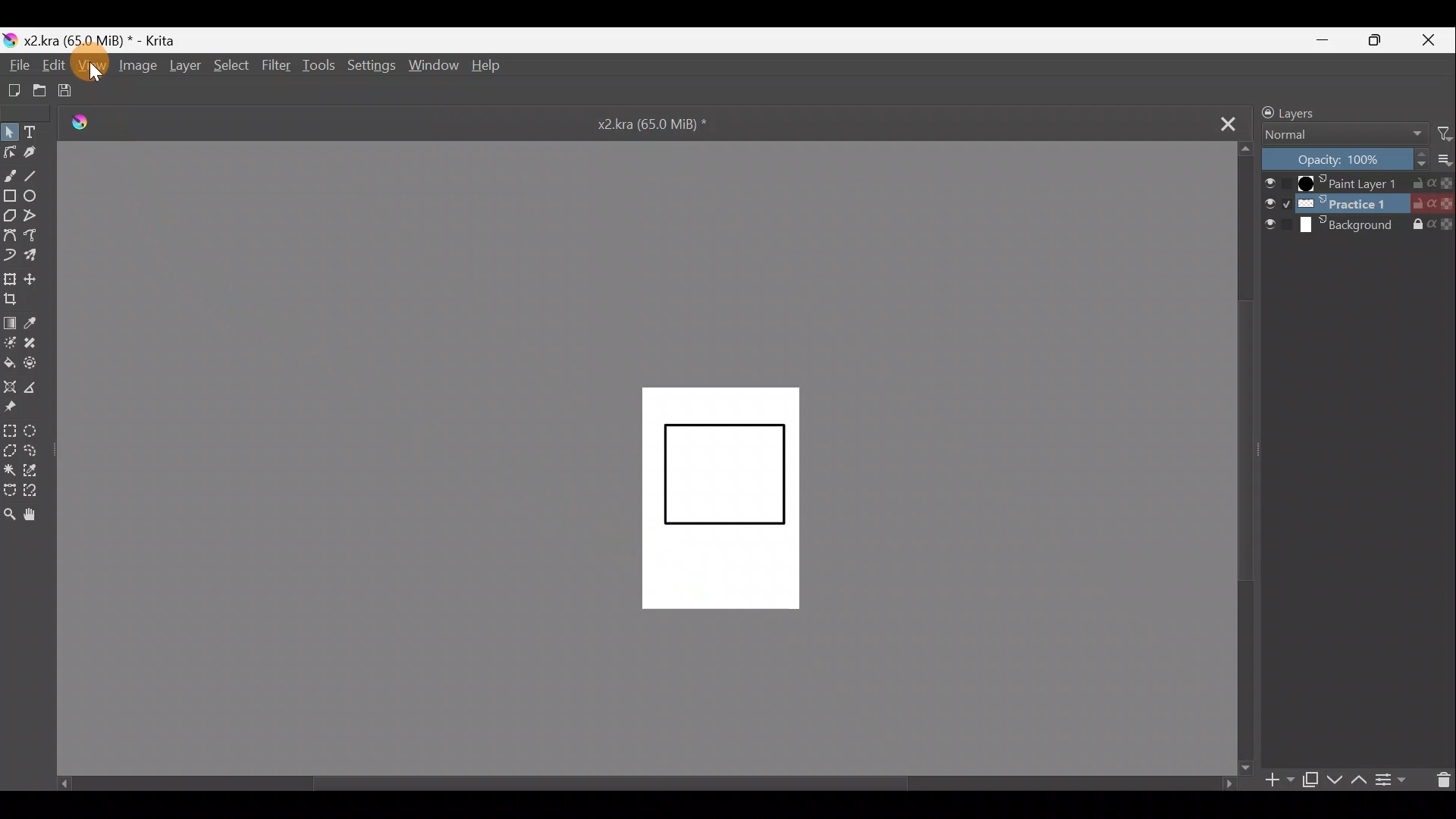 The image size is (1456, 819). I want to click on Maximize, so click(1373, 41).